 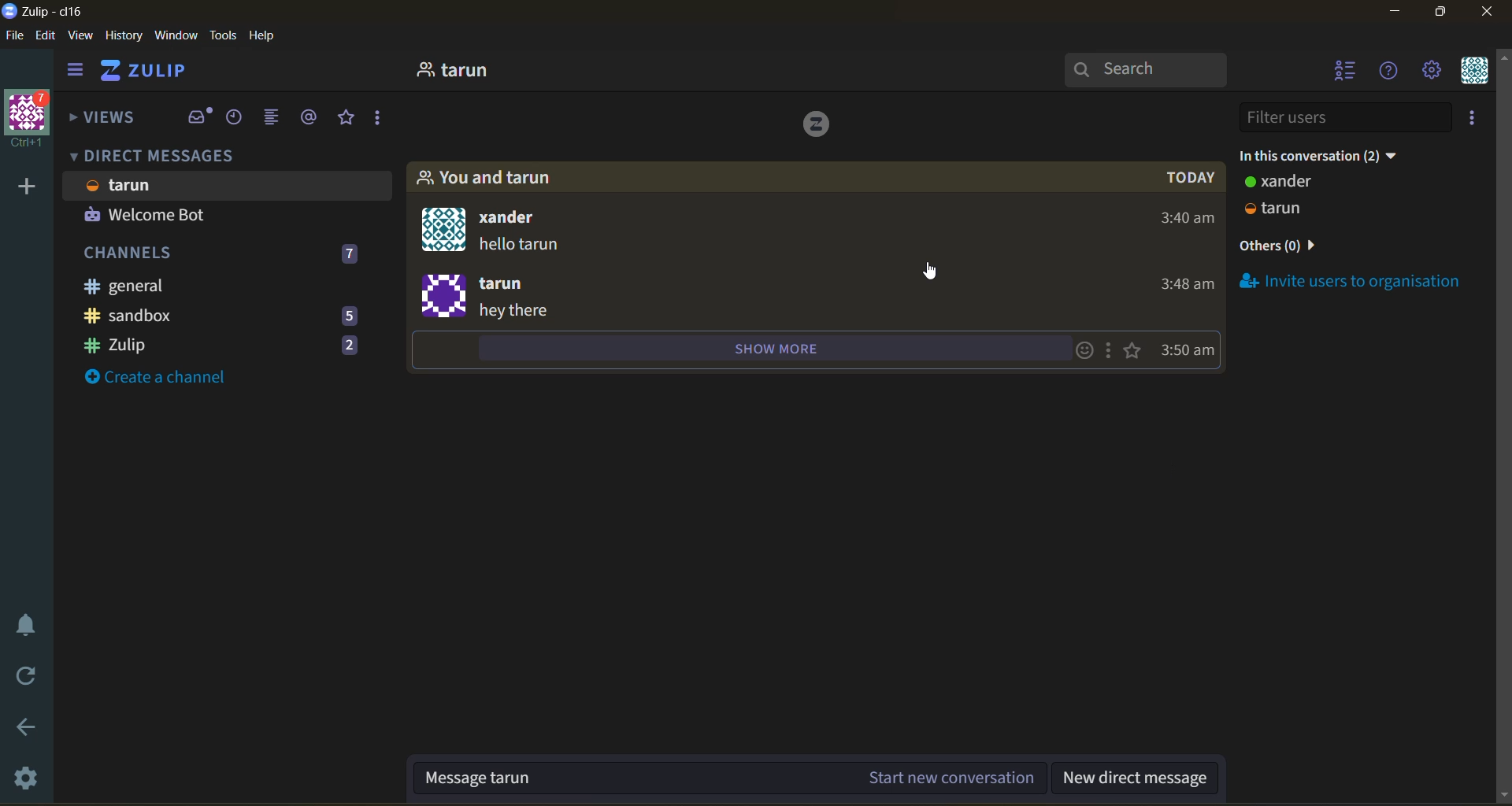 I want to click on minimize, so click(x=1398, y=12).